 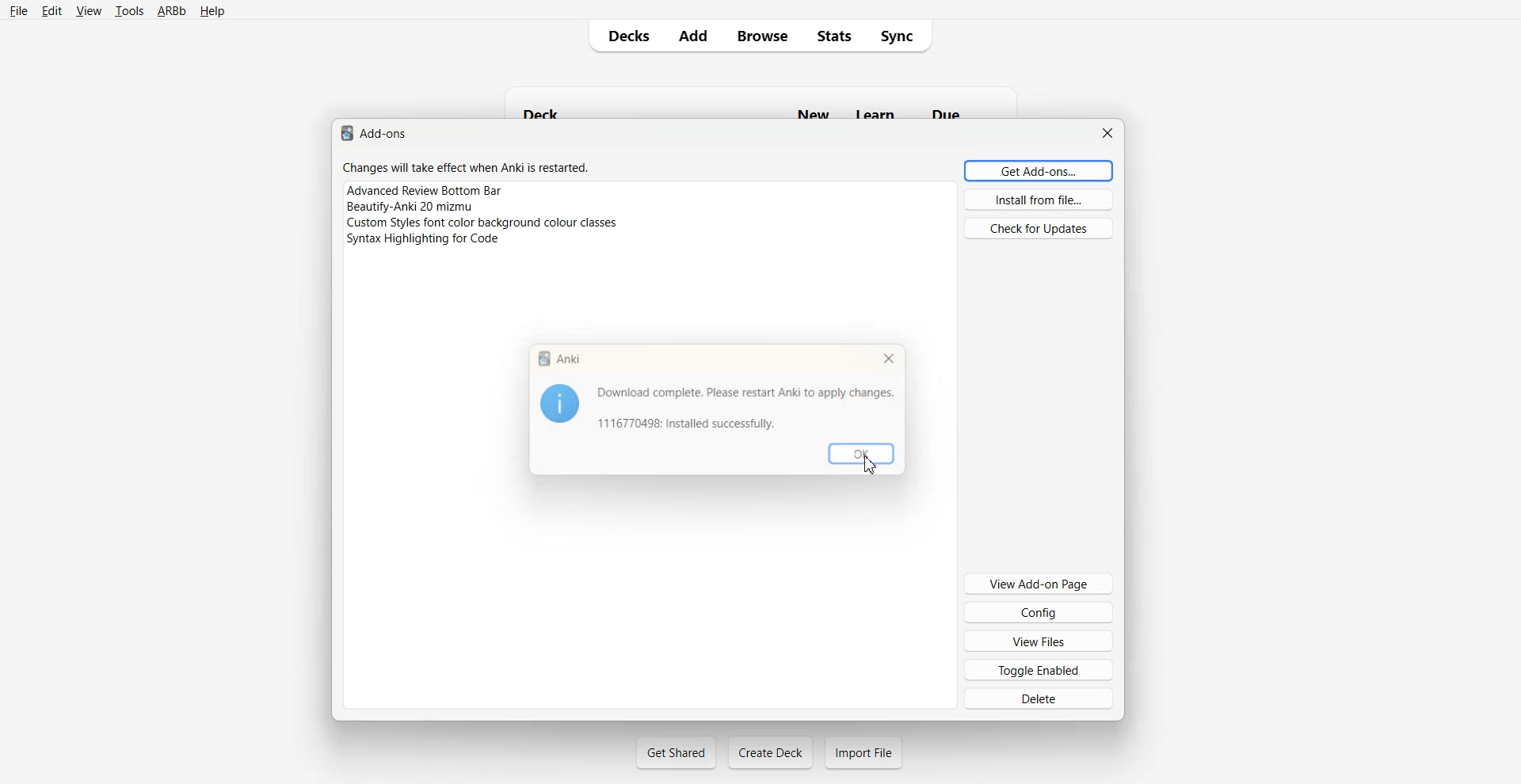 I want to click on View Files, so click(x=1039, y=640).